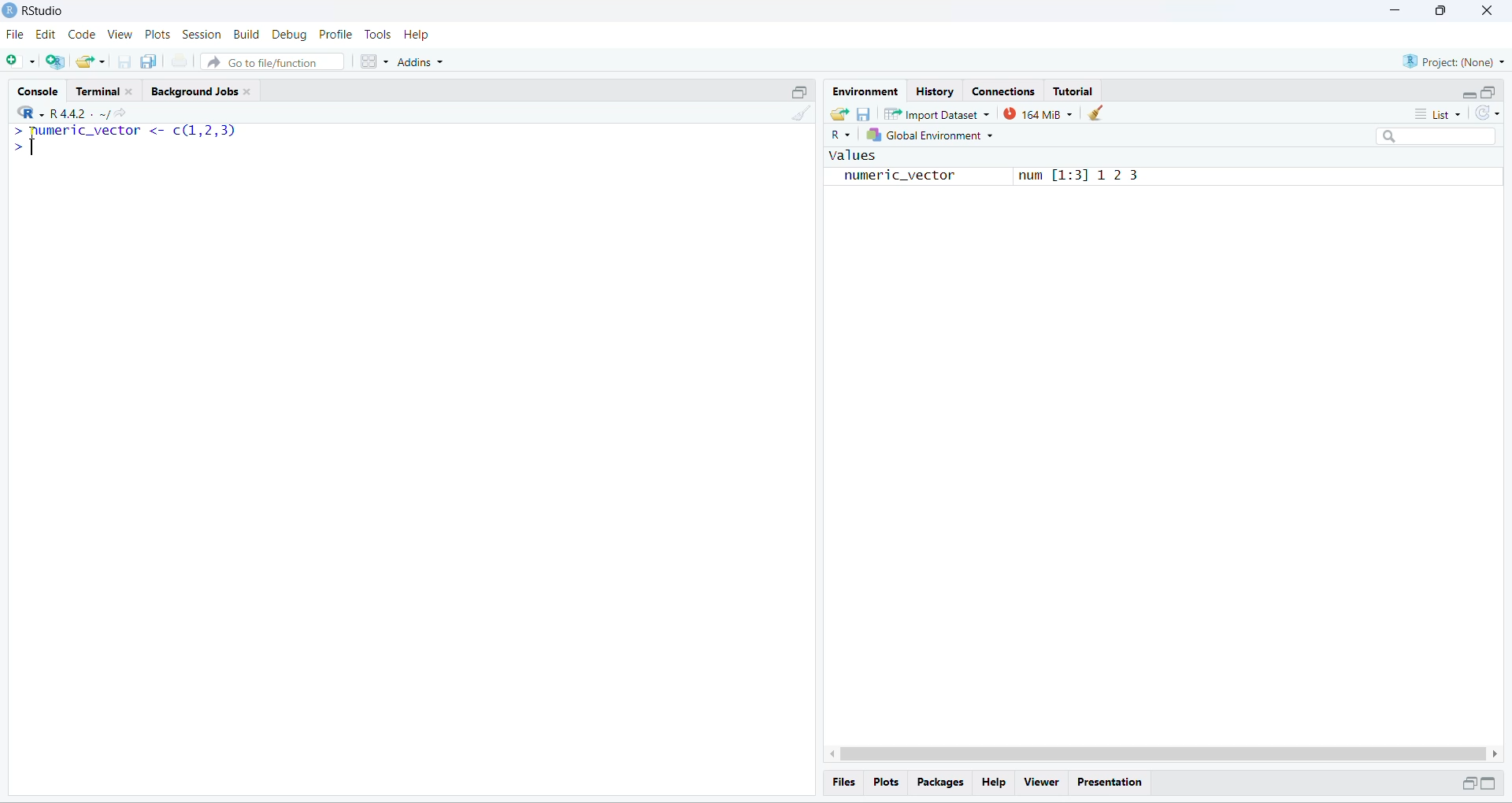  What do you see at coordinates (838, 113) in the screenshot?
I see `load workspace` at bounding box center [838, 113].